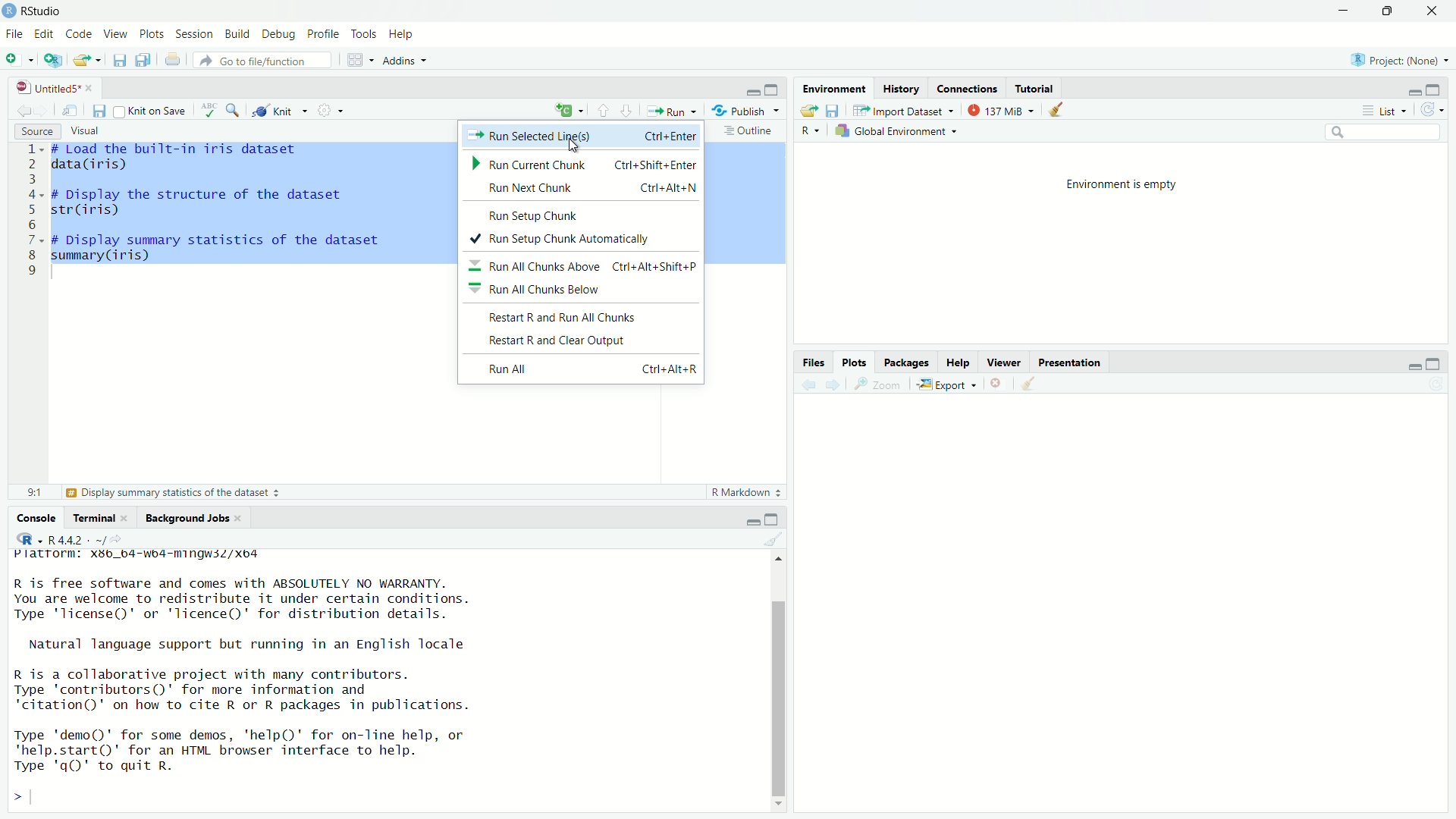 The height and width of the screenshot is (819, 1456). Describe the element at coordinates (814, 362) in the screenshot. I see `Files` at that location.